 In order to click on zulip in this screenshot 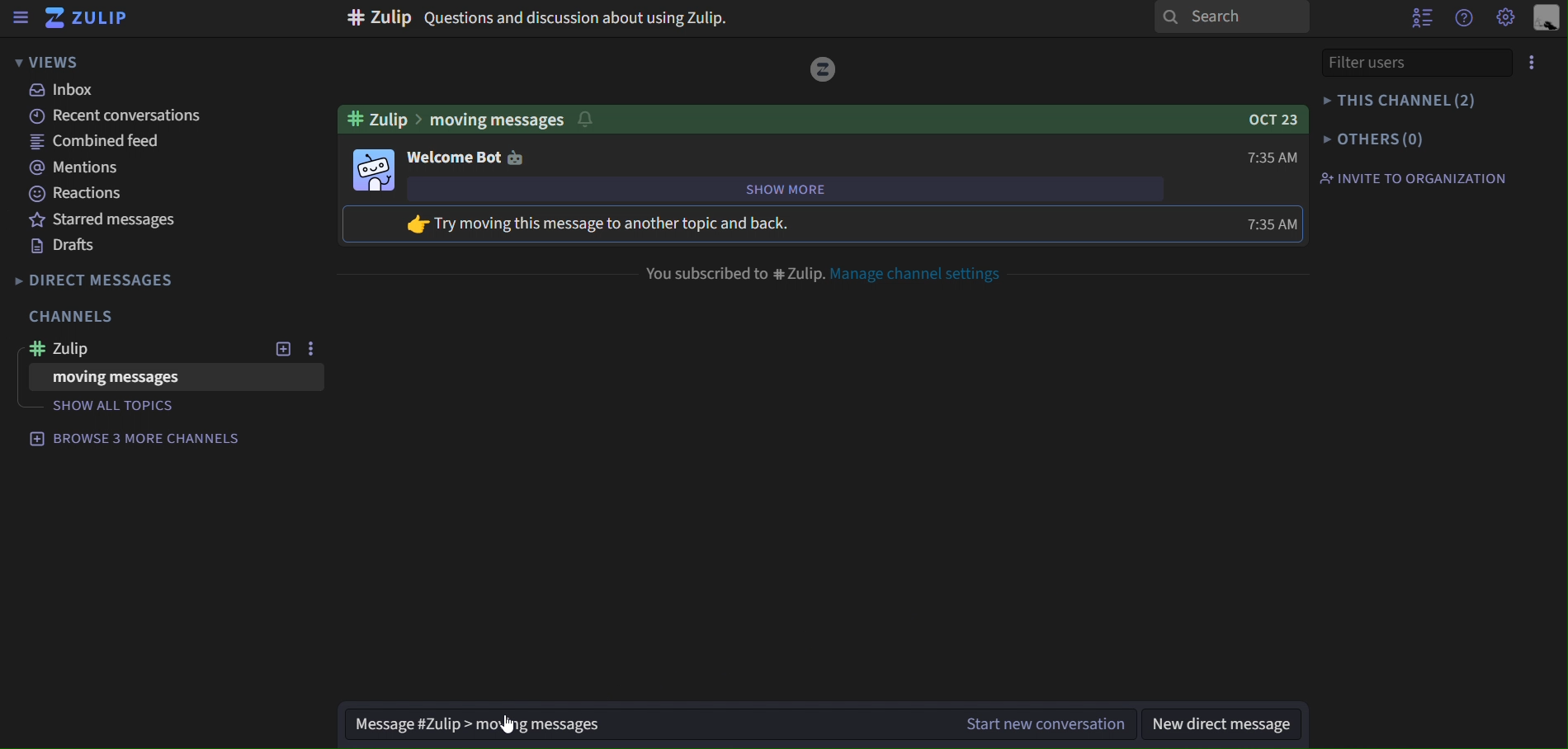, I will do `click(132, 348)`.